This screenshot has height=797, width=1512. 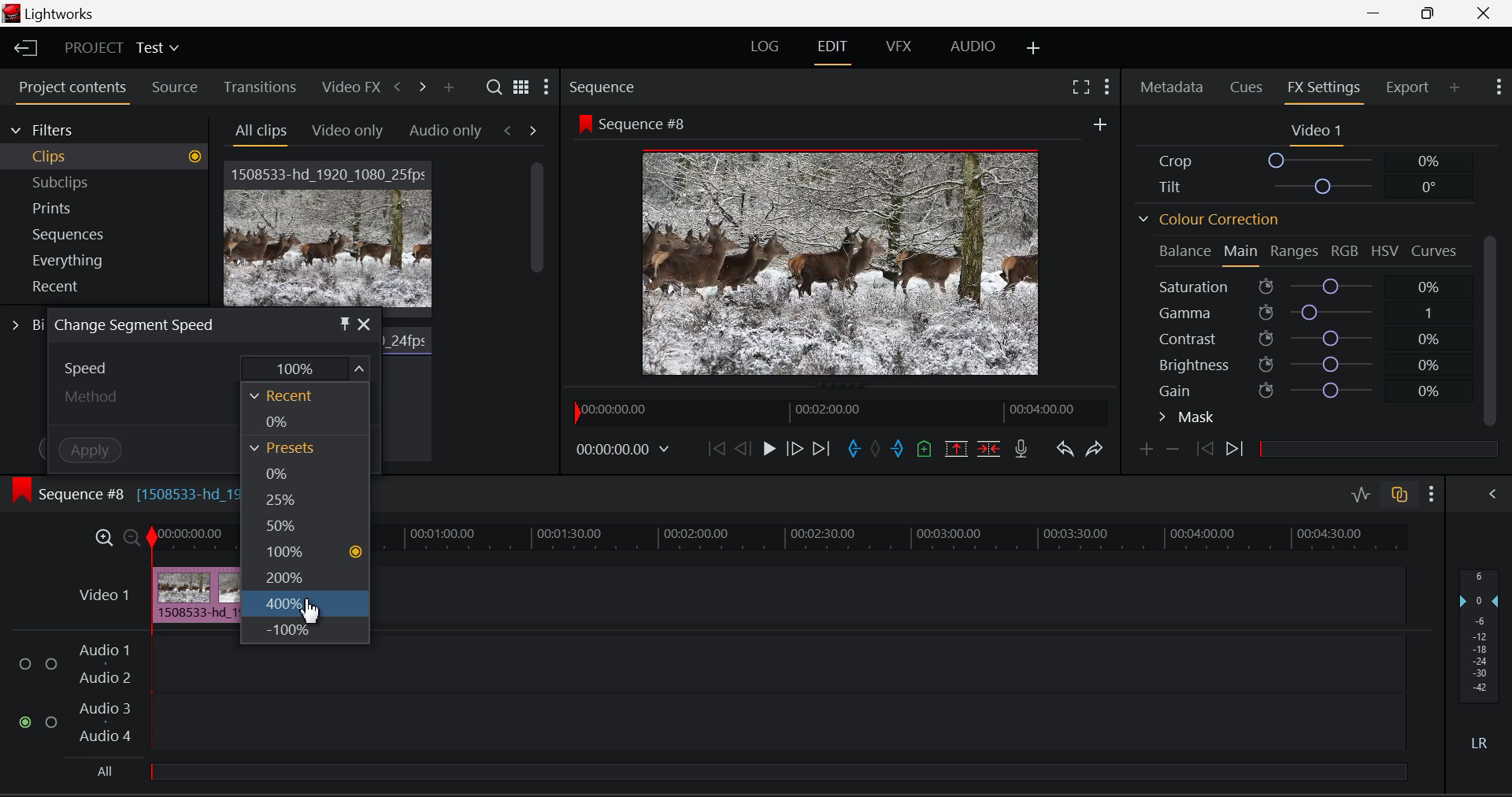 What do you see at coordinates (1499, 90) in the screenshot?
I see `Show Settings` at bounding box center [1499, 90].